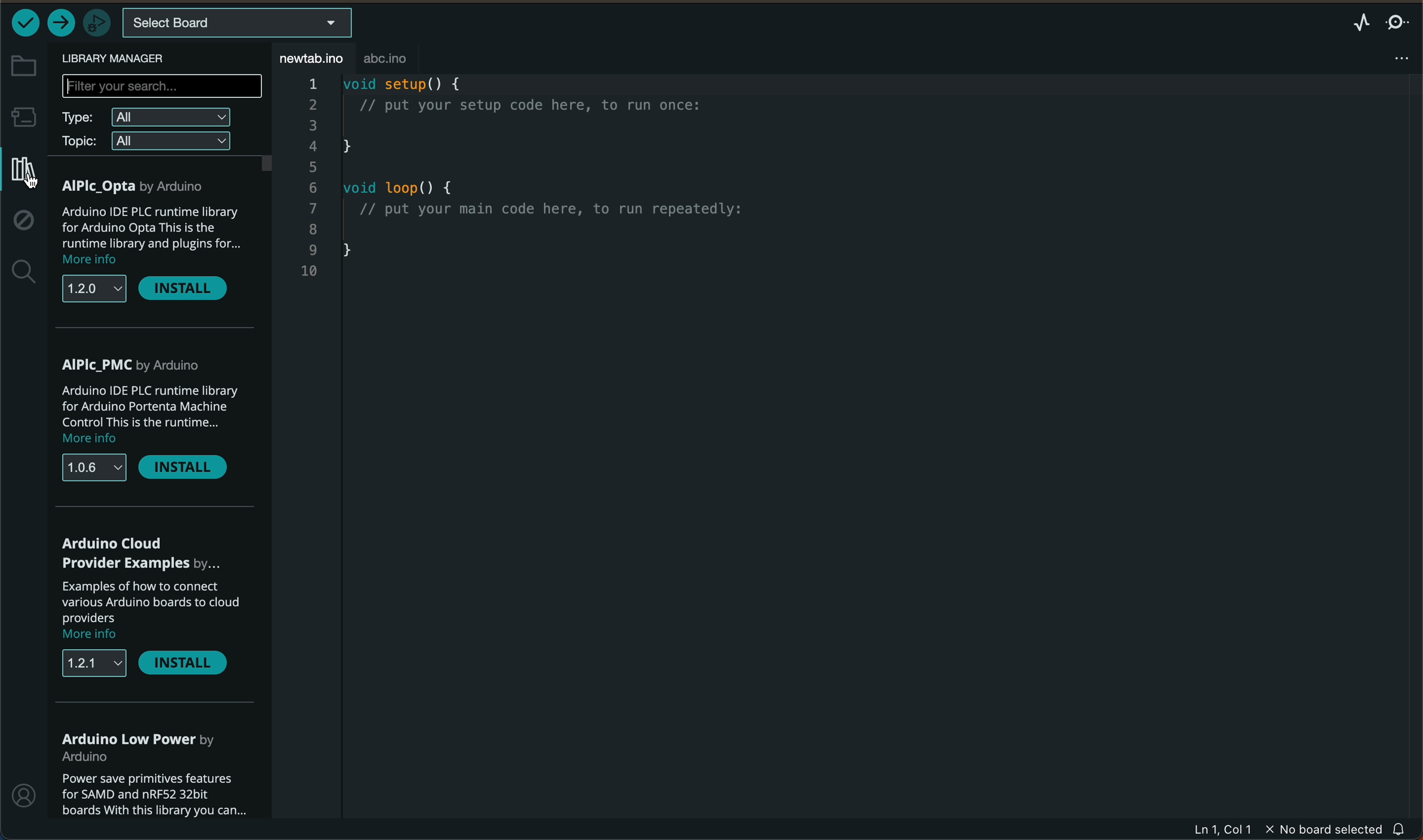 This screenshot has height=840, width=1423. I want to click on debugger, so click(95, 22).